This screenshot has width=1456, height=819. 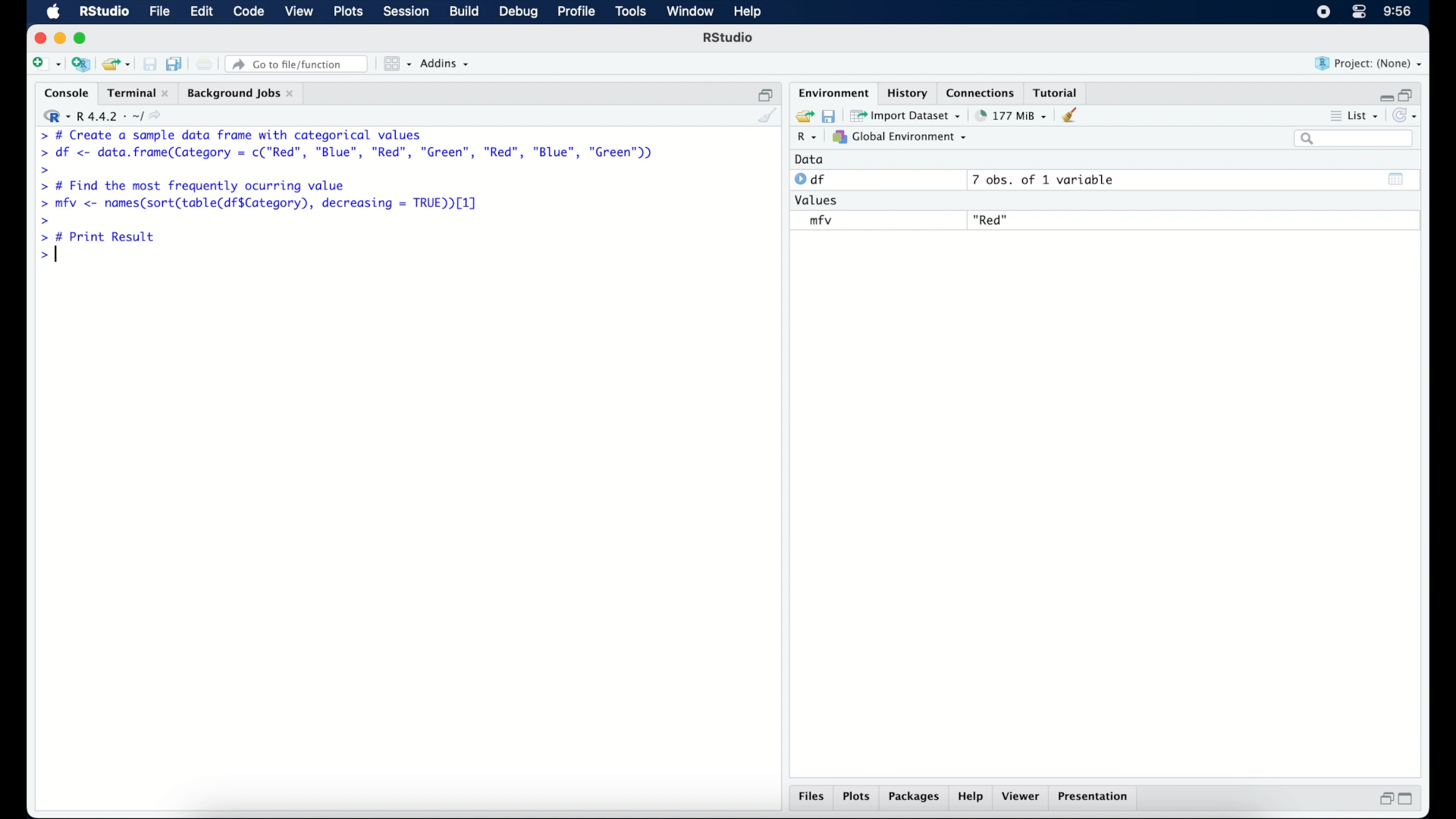 I want to click on command prompt, so click(x=45, y=219).